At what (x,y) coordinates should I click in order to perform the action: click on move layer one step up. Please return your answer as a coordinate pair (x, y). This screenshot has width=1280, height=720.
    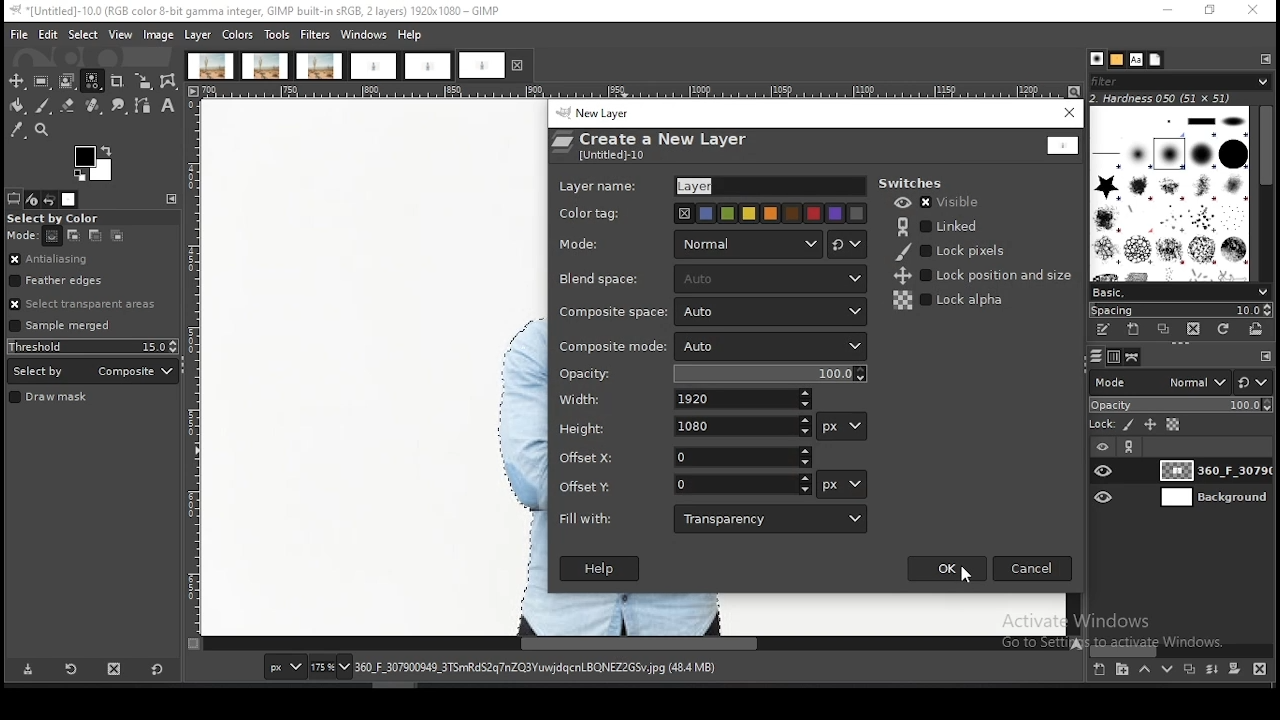
    Looking at the image, I should click on (1144, 669).